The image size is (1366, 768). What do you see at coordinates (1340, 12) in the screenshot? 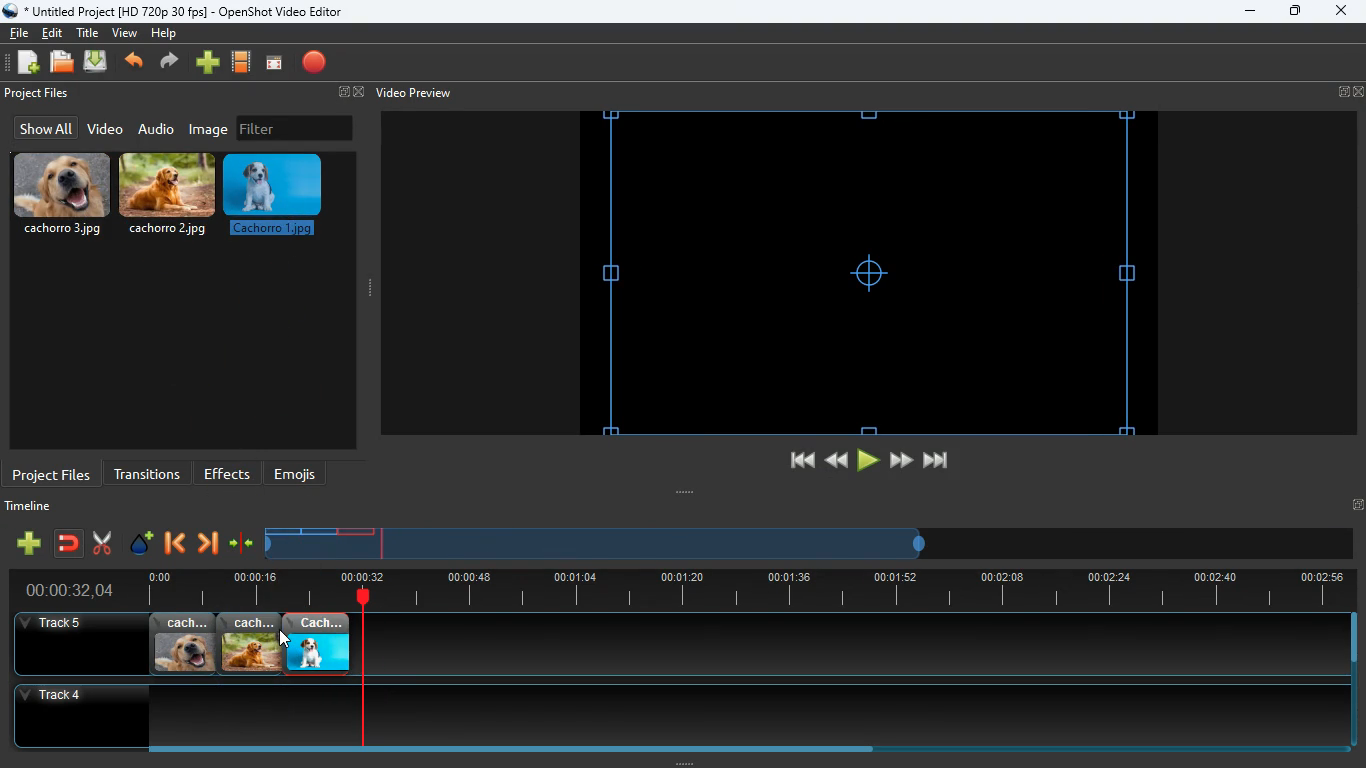
I see `close` at bounding box center [1340, 12].